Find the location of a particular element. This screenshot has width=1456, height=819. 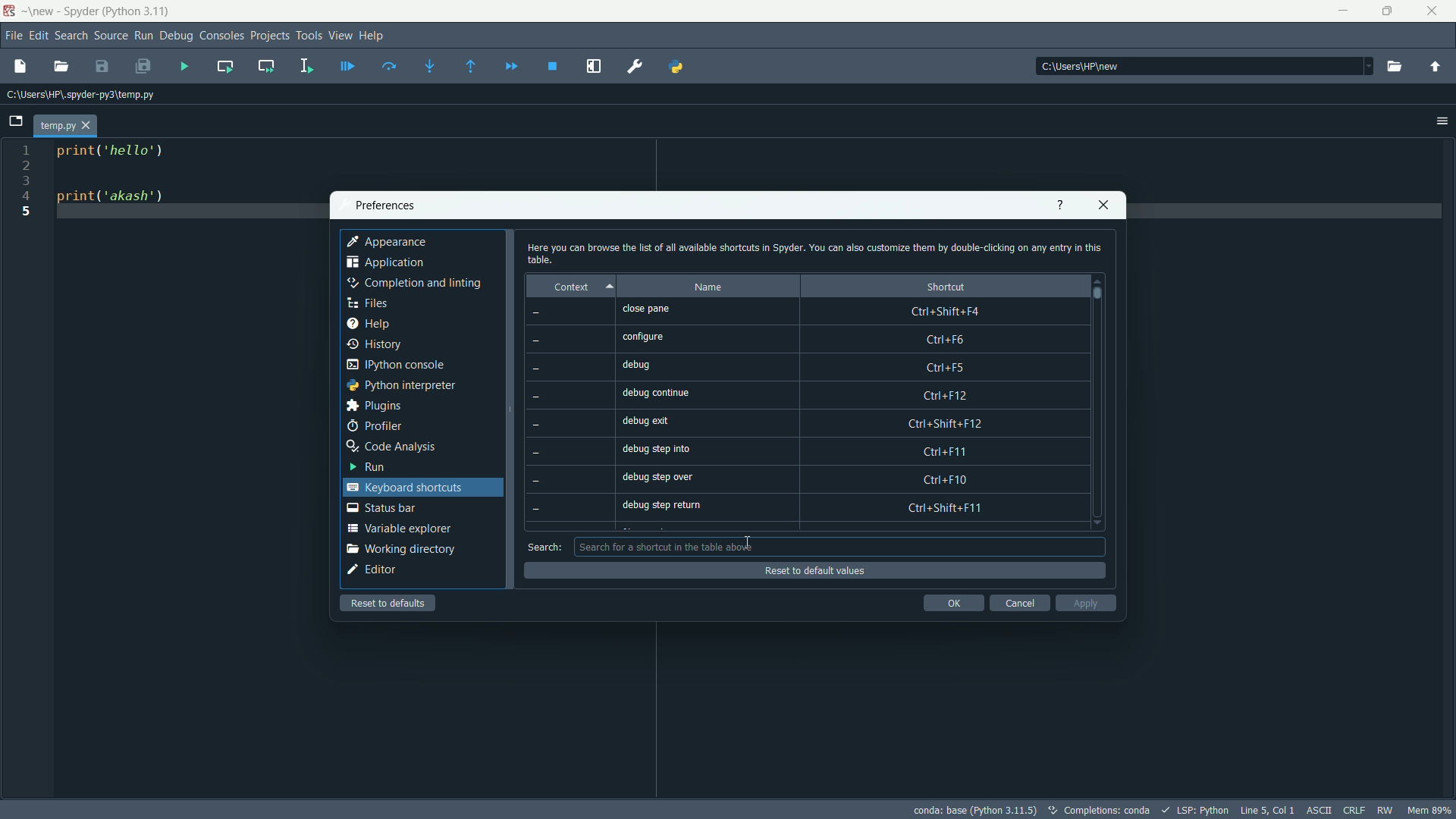

browse directory is located at coordinates (1395, 67).